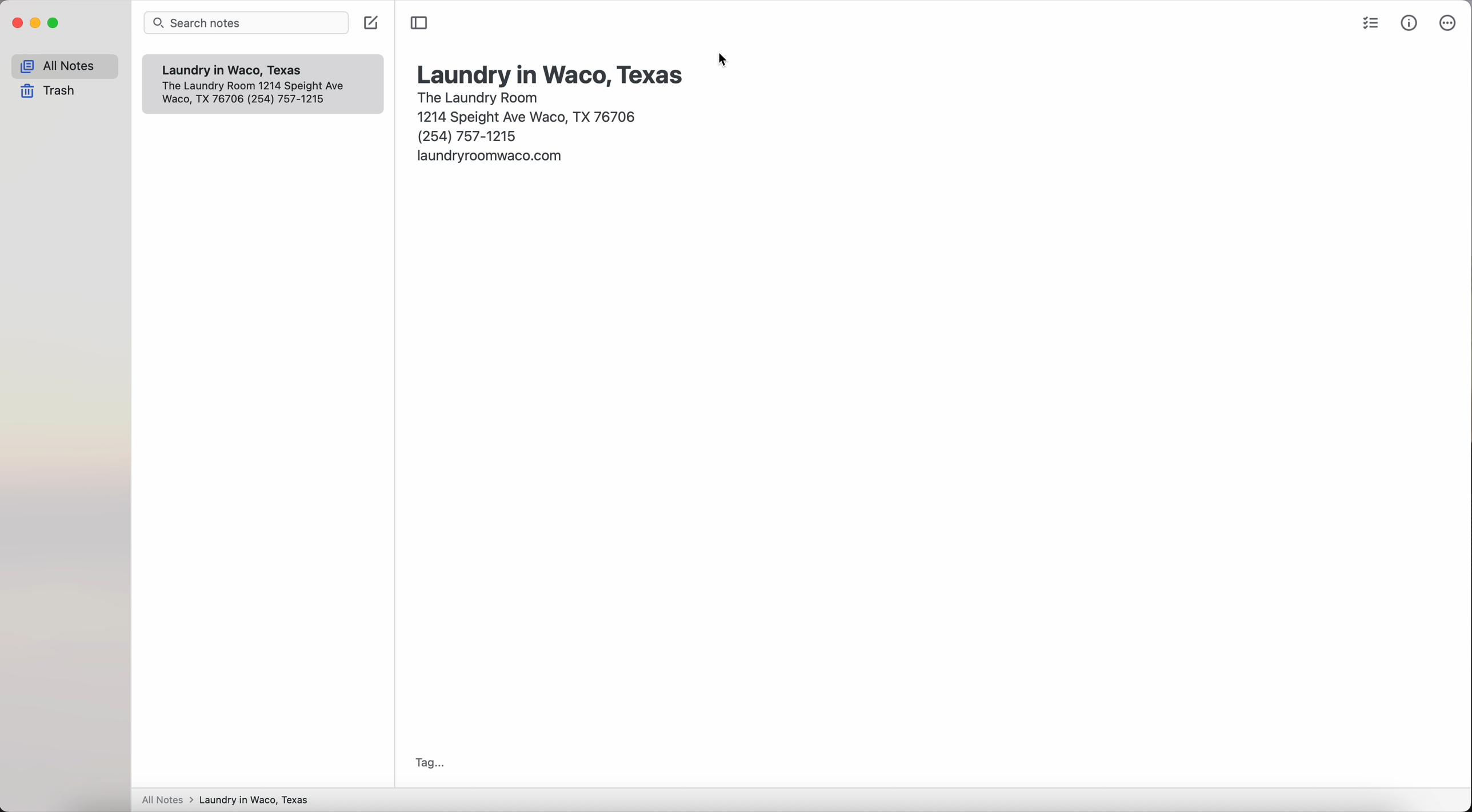 Image resolution: width=1472 pixels, height=812 pixels. I want to click on search bar, so click(249, 24).